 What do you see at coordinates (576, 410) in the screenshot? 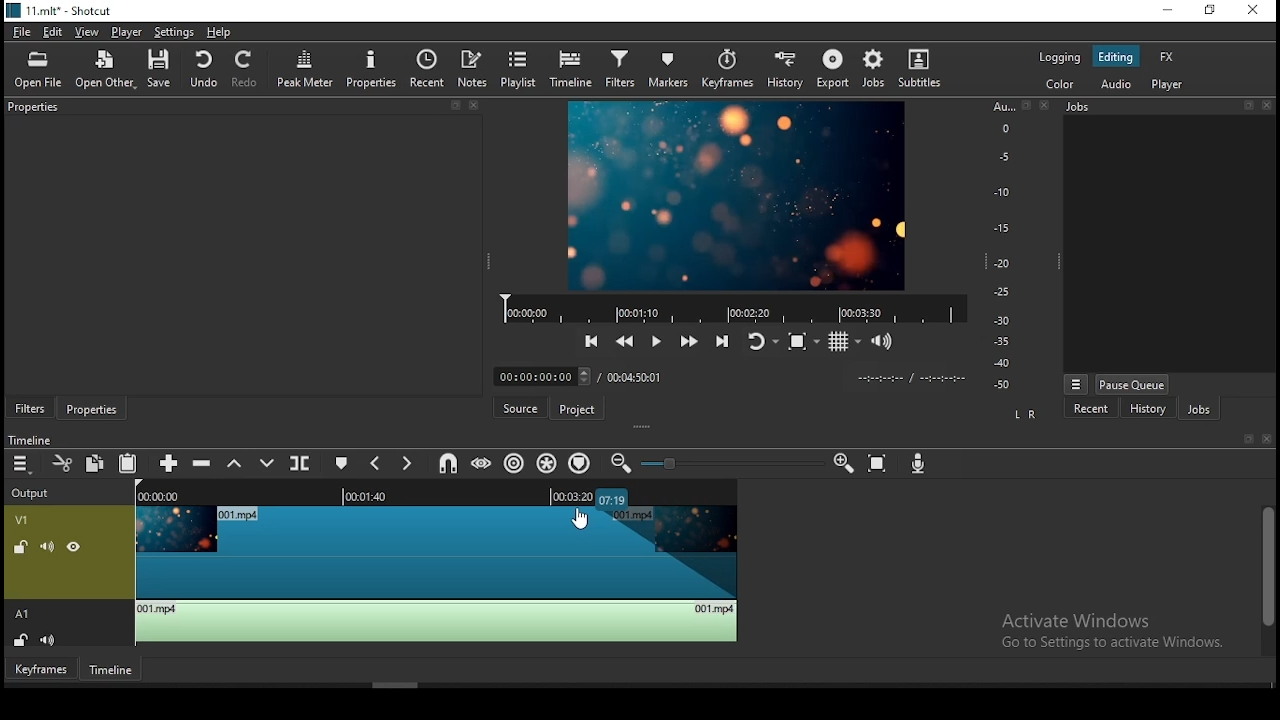
I see `project` at bounding box center [576, 410].